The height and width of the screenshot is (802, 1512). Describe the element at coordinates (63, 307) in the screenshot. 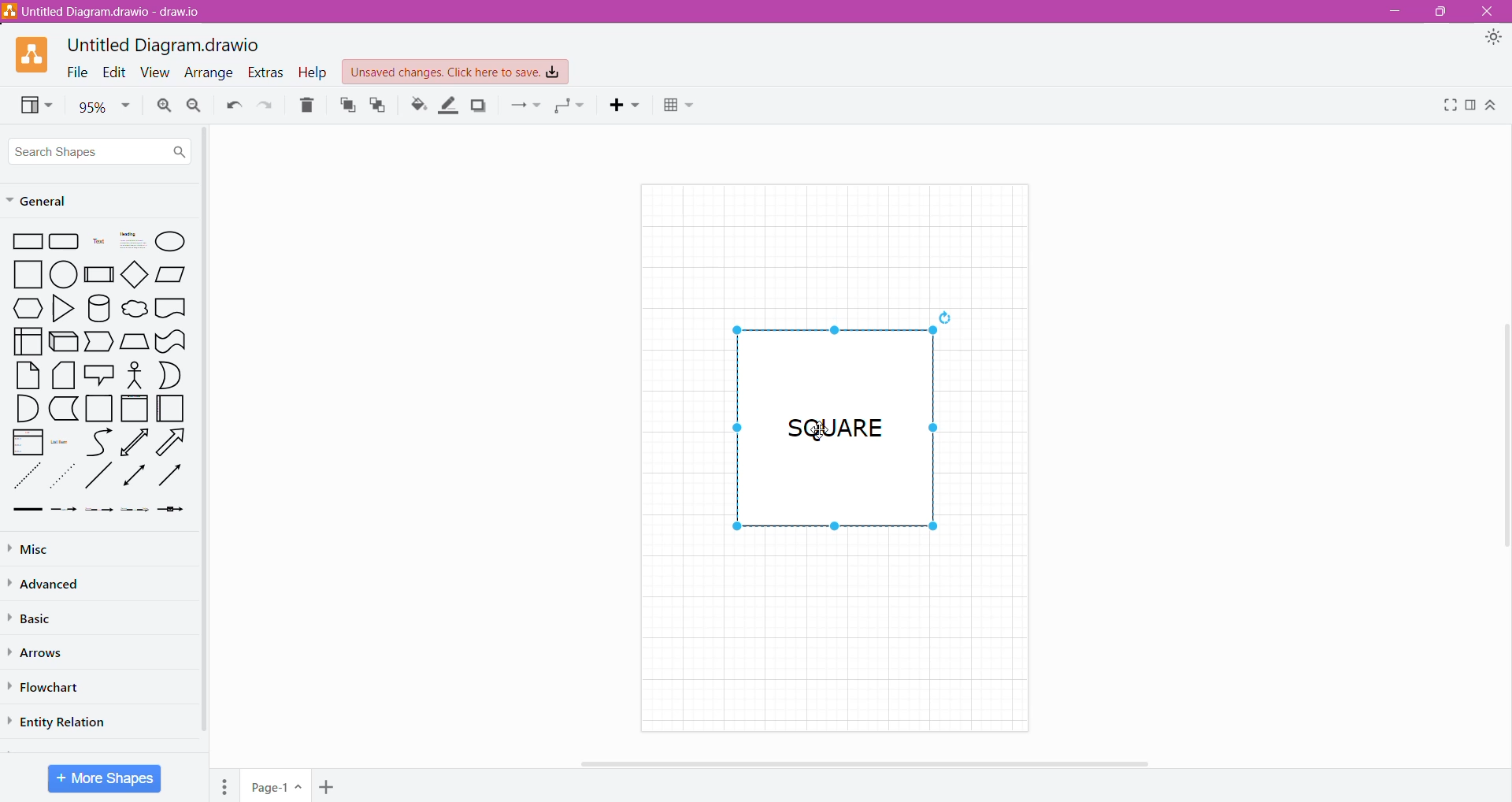

I see `Triangle` at that location.